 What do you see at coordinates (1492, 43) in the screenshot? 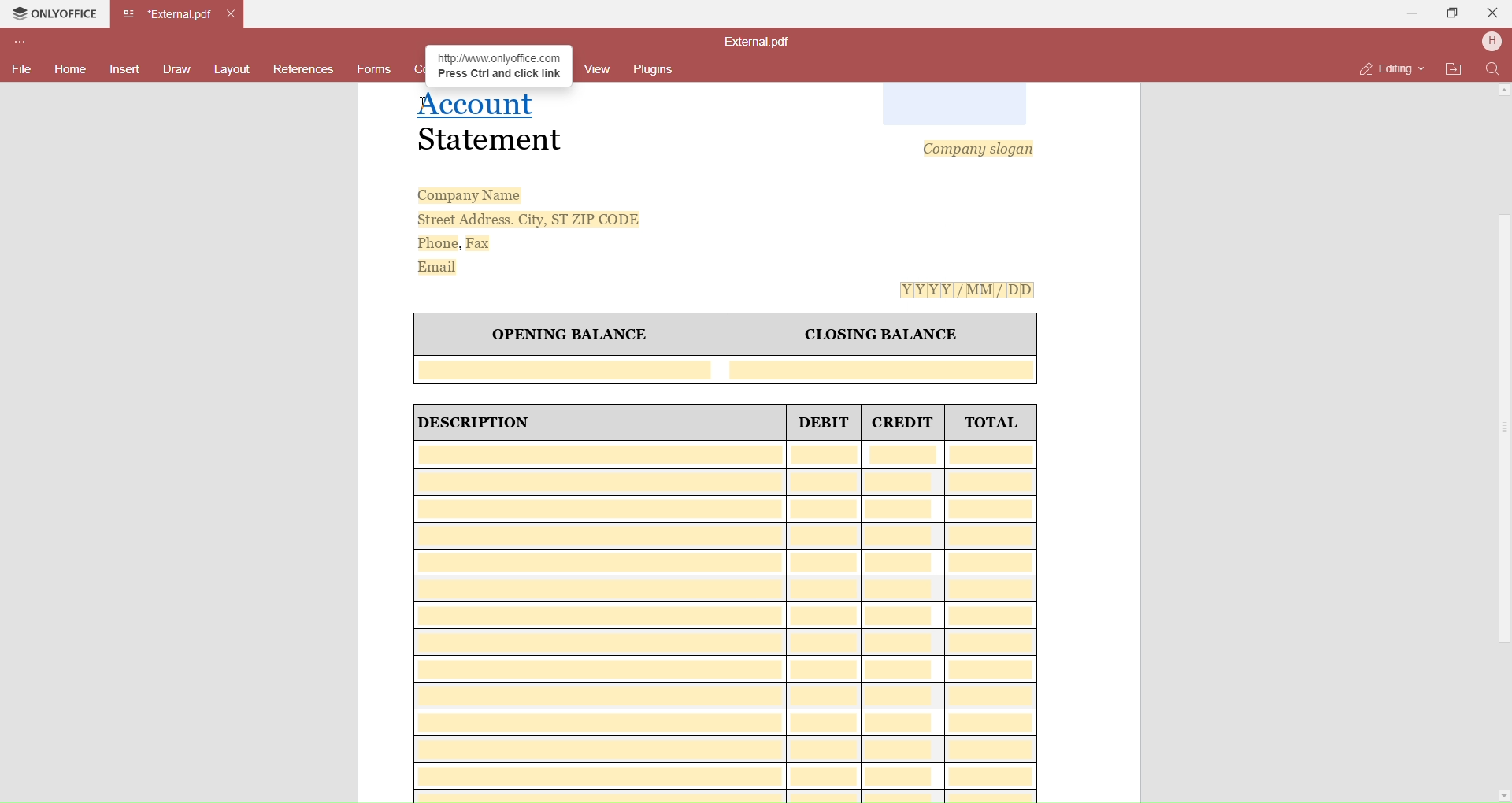
I see `User` at bounding box center [1492, 43].